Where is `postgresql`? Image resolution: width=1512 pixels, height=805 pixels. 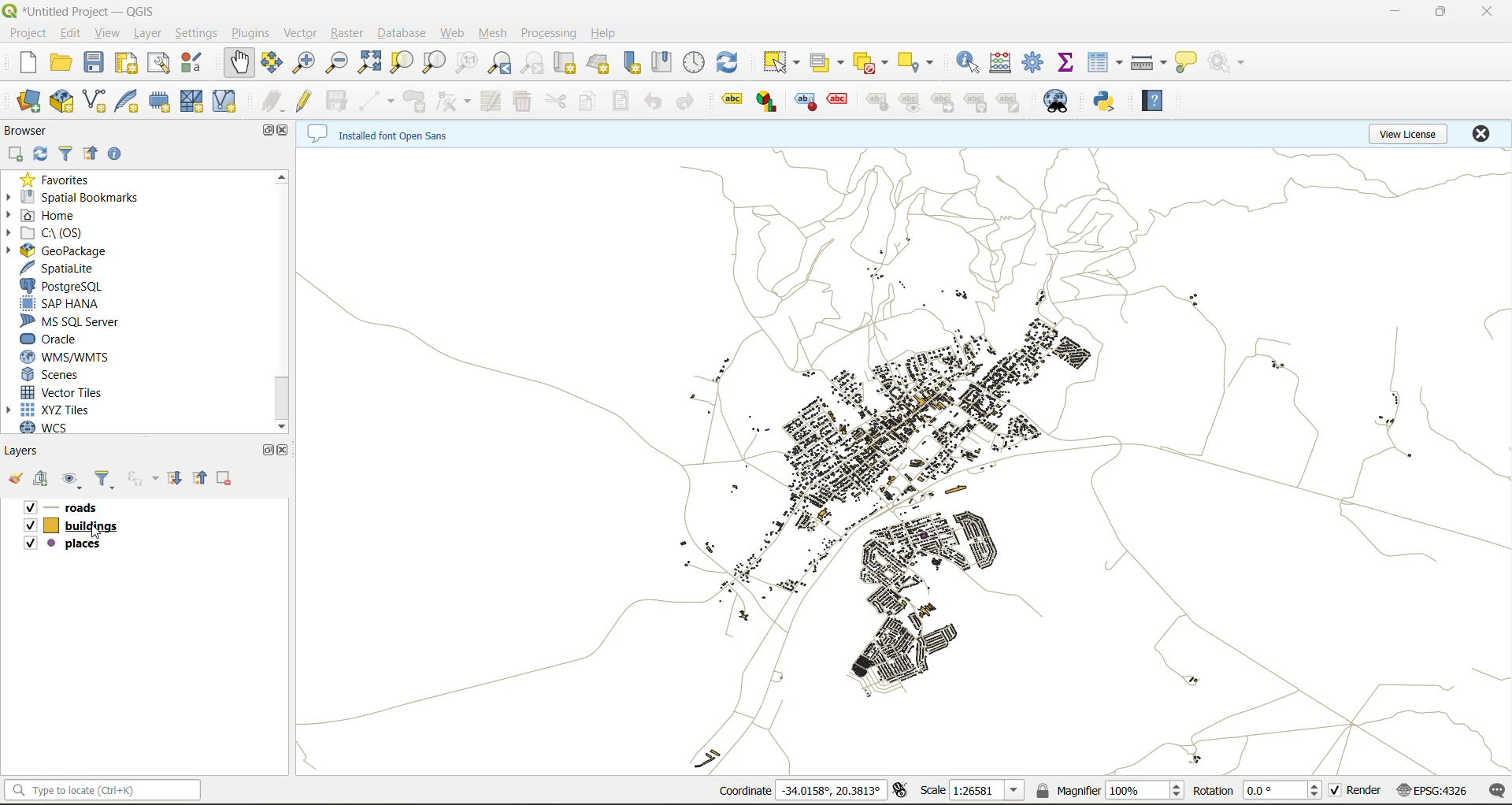 postgresql is located at coordinates (61, 288).